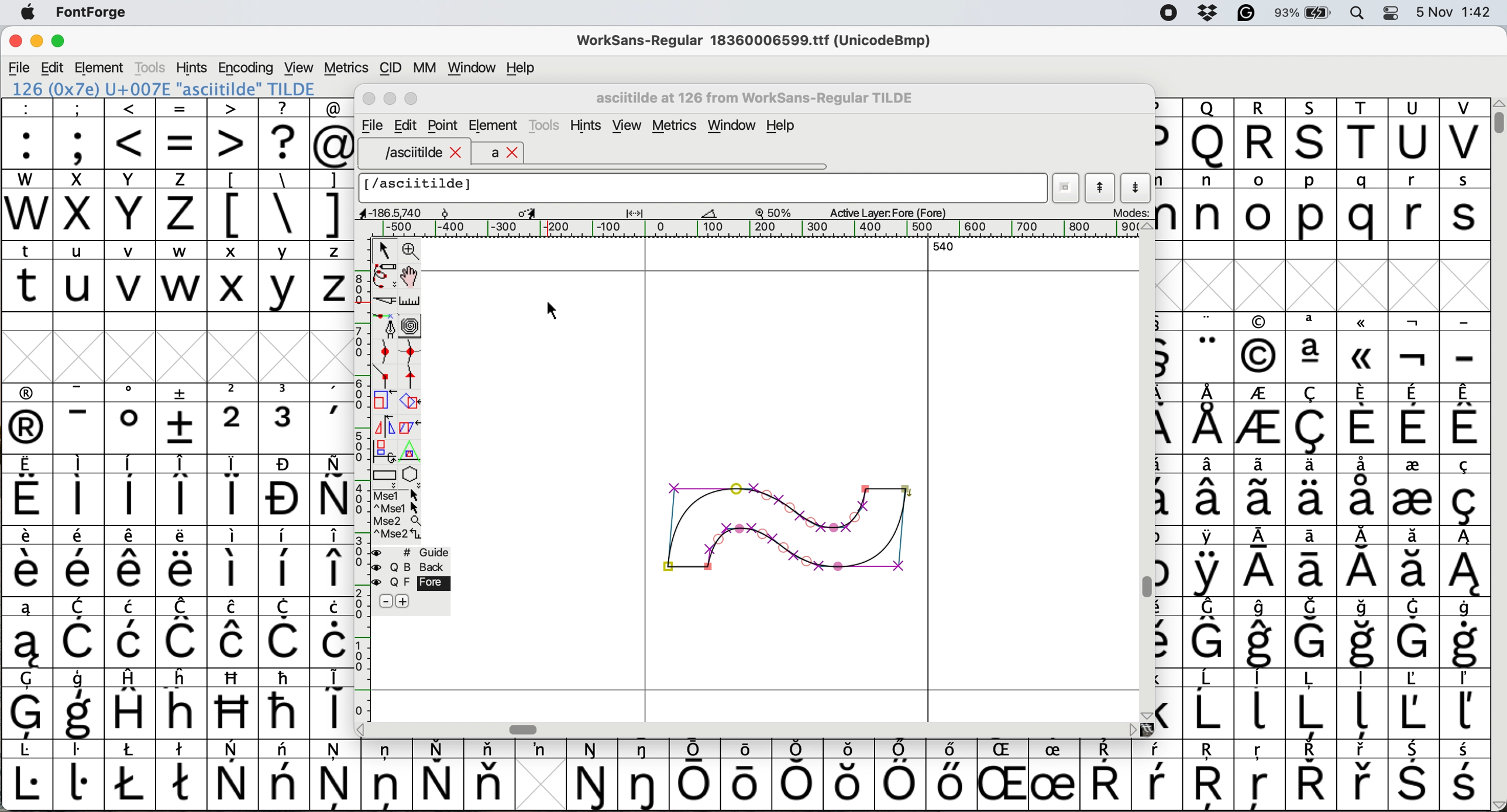  Describe the element at coordinates (413, 252) in the screenshot. I see `zoom in` at that location.